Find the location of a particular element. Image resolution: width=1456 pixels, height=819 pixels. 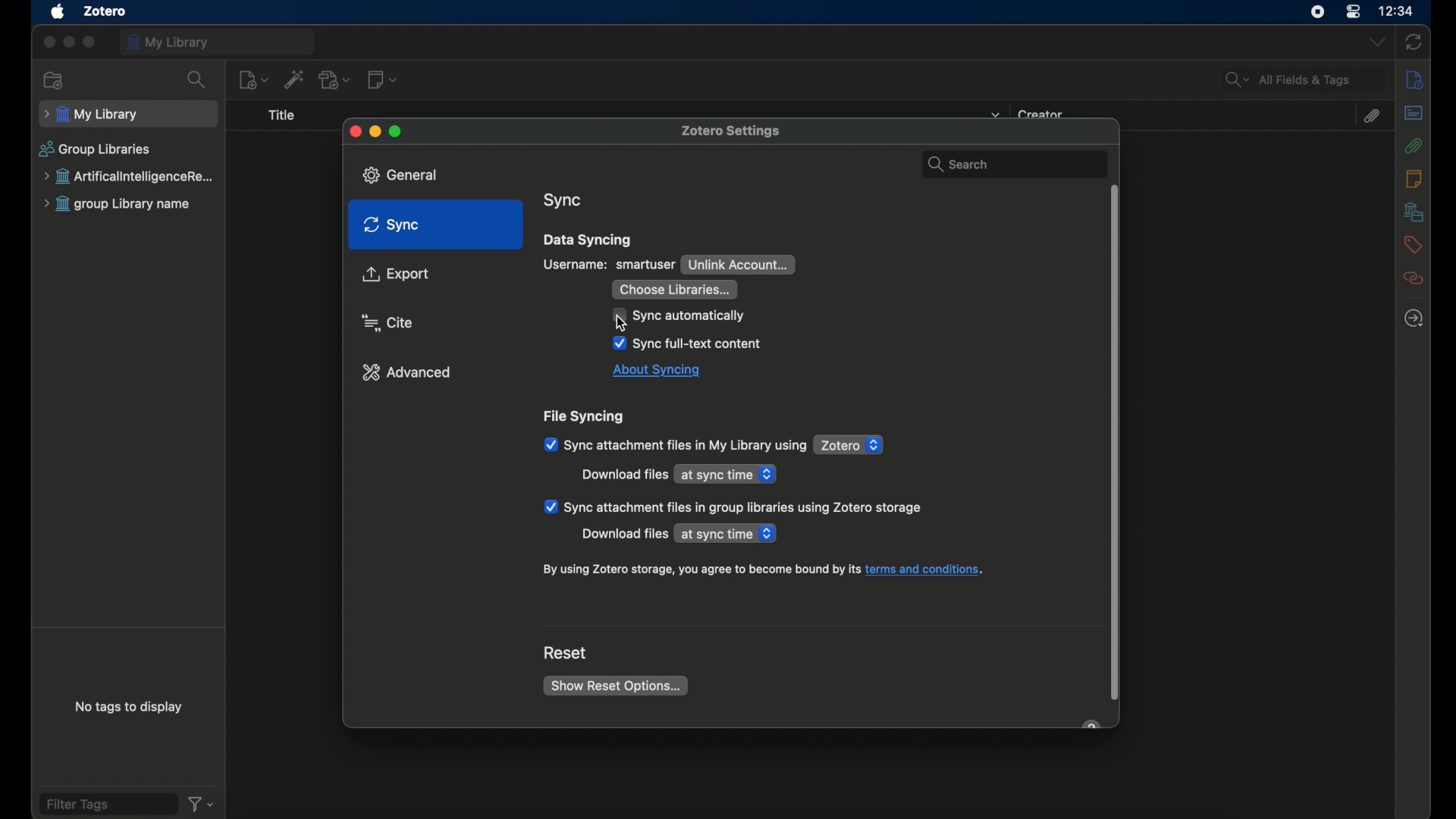

search bar is located at coordinates (1010, 161).